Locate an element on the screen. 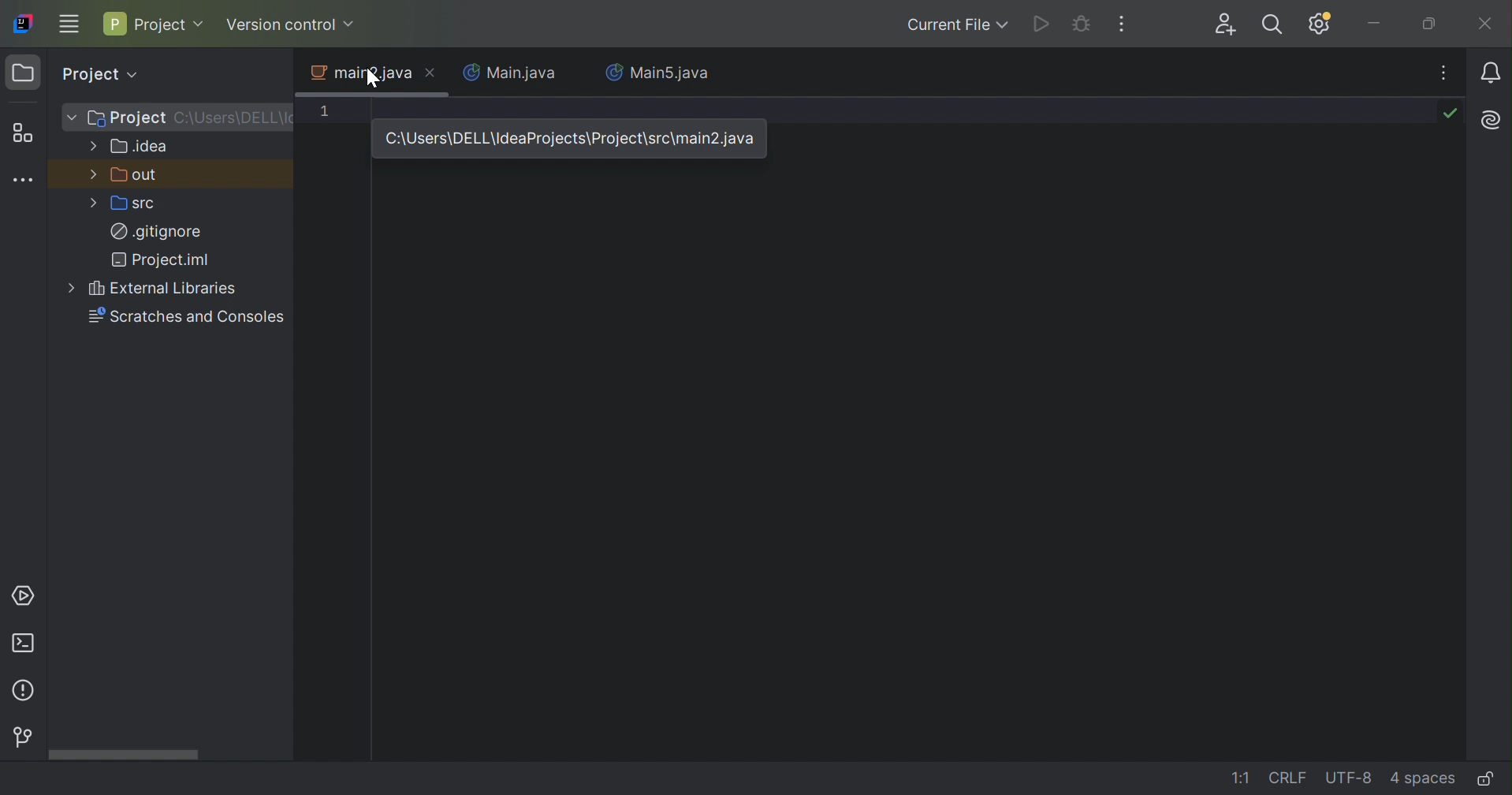 This screenshot has height=795, width=1512. Main5.java is located at coordinates (661, 73).